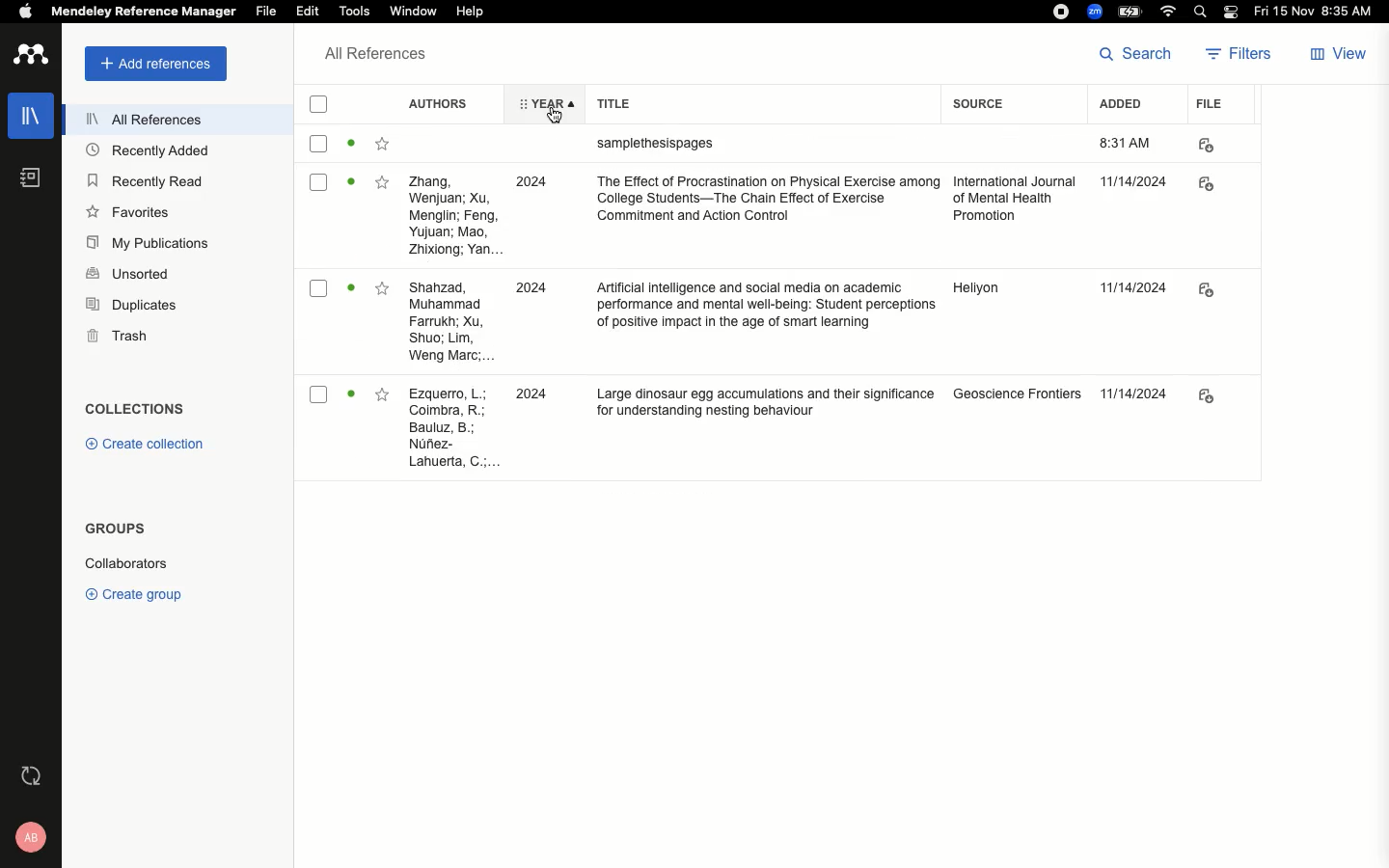 This screenshot has height=868, width=1389. Describe the element at coordinates (1239, 53) in the screenshot. I see `Filters` at that location.